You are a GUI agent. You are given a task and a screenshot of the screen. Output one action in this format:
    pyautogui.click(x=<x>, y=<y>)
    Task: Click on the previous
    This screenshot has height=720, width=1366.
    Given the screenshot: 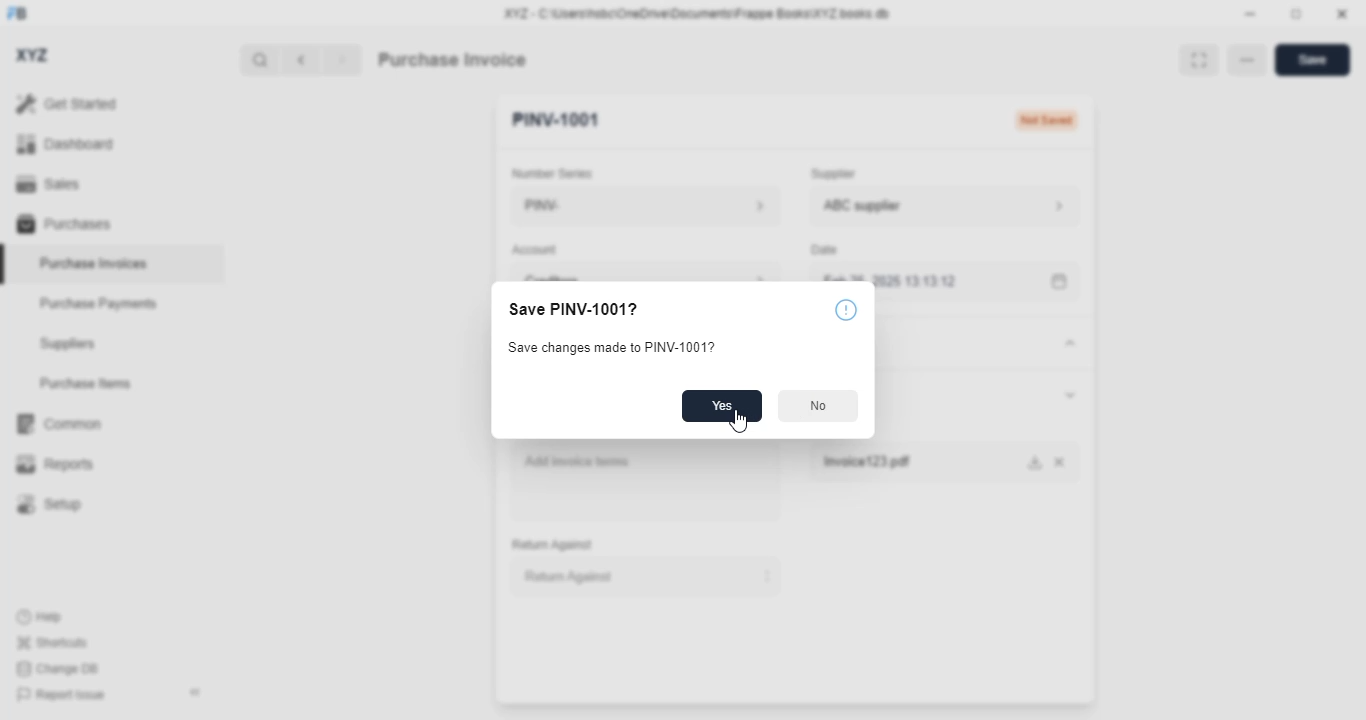 What is the action you would take?
    pyautogui.click(x=301, y=60)
    